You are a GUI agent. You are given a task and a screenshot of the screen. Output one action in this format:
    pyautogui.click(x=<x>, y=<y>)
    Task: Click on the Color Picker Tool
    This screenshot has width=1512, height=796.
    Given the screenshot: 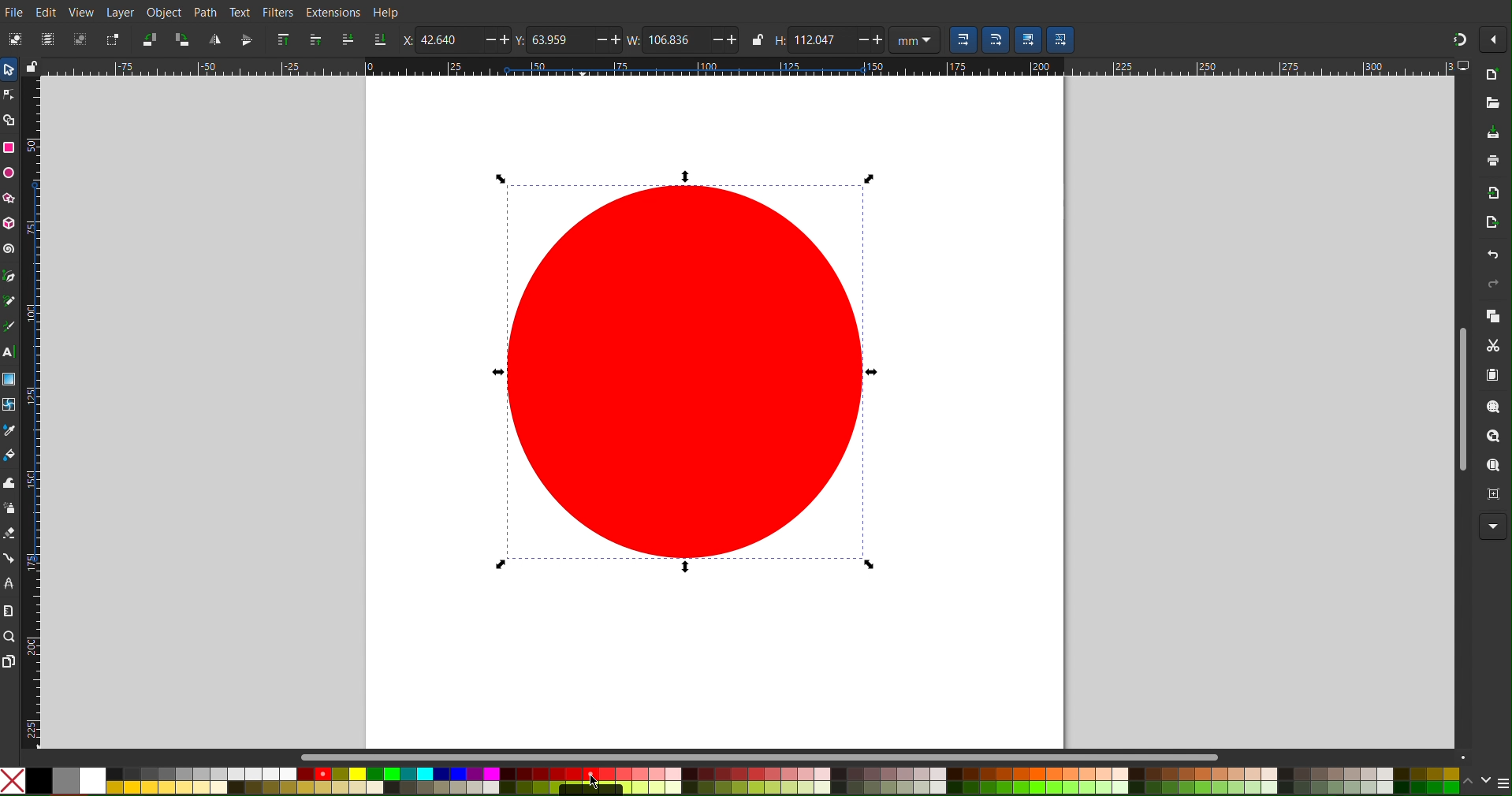 What is the action you would take?
    pyautogui.click(x=9, y=430)
    